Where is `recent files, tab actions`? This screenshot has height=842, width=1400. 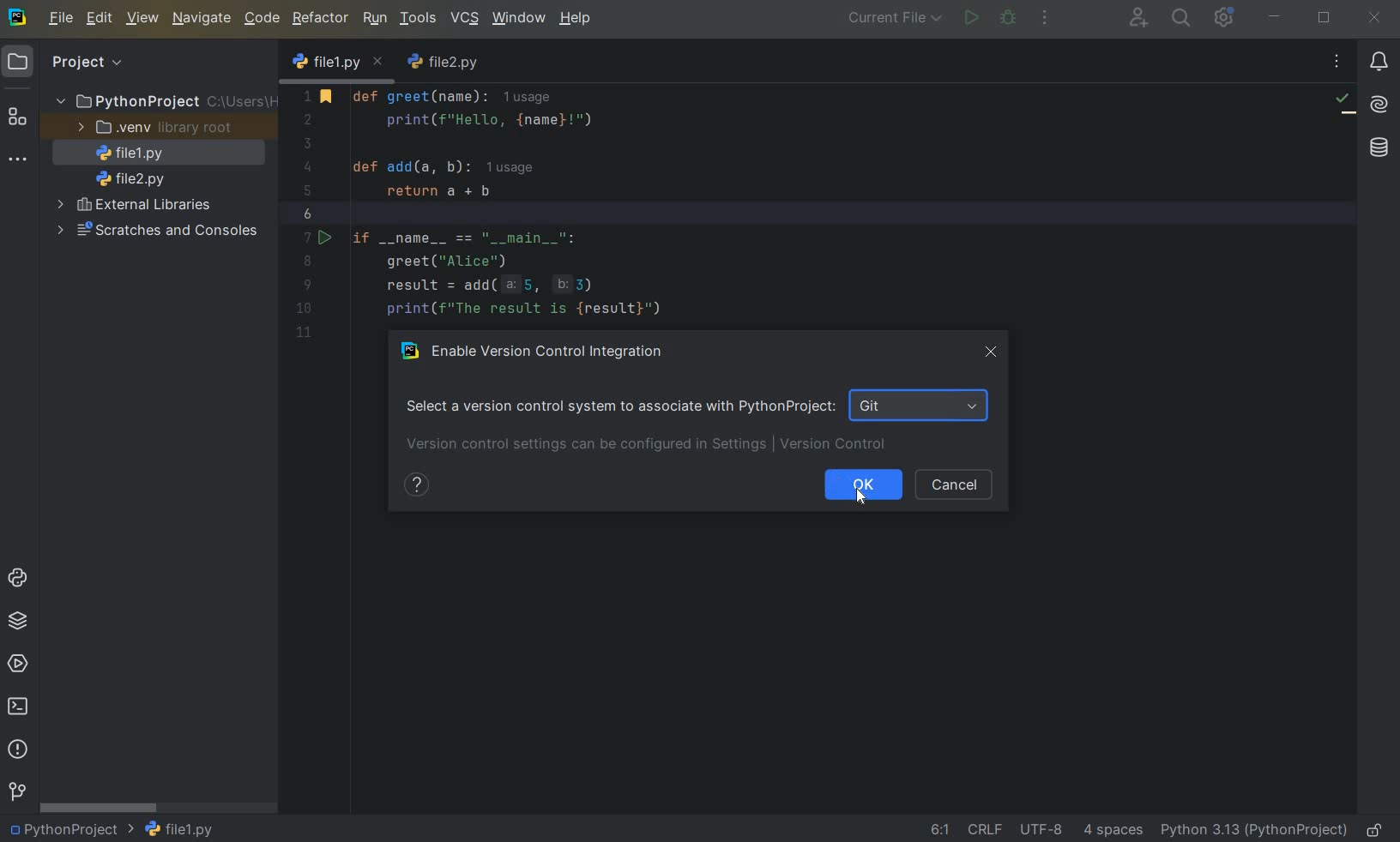 recent files, tab actions is located at coordinates (1338, 63).